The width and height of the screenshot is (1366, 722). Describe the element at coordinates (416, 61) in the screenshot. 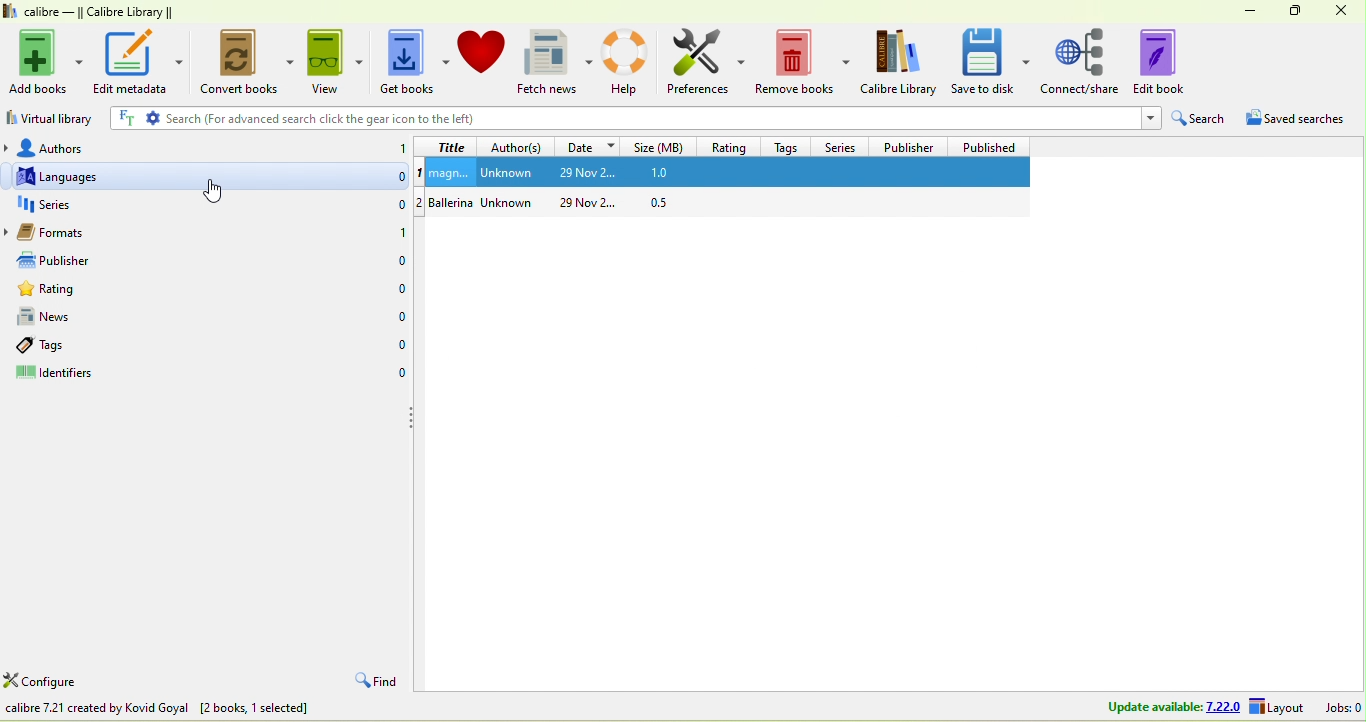

I see `get books` at that location.